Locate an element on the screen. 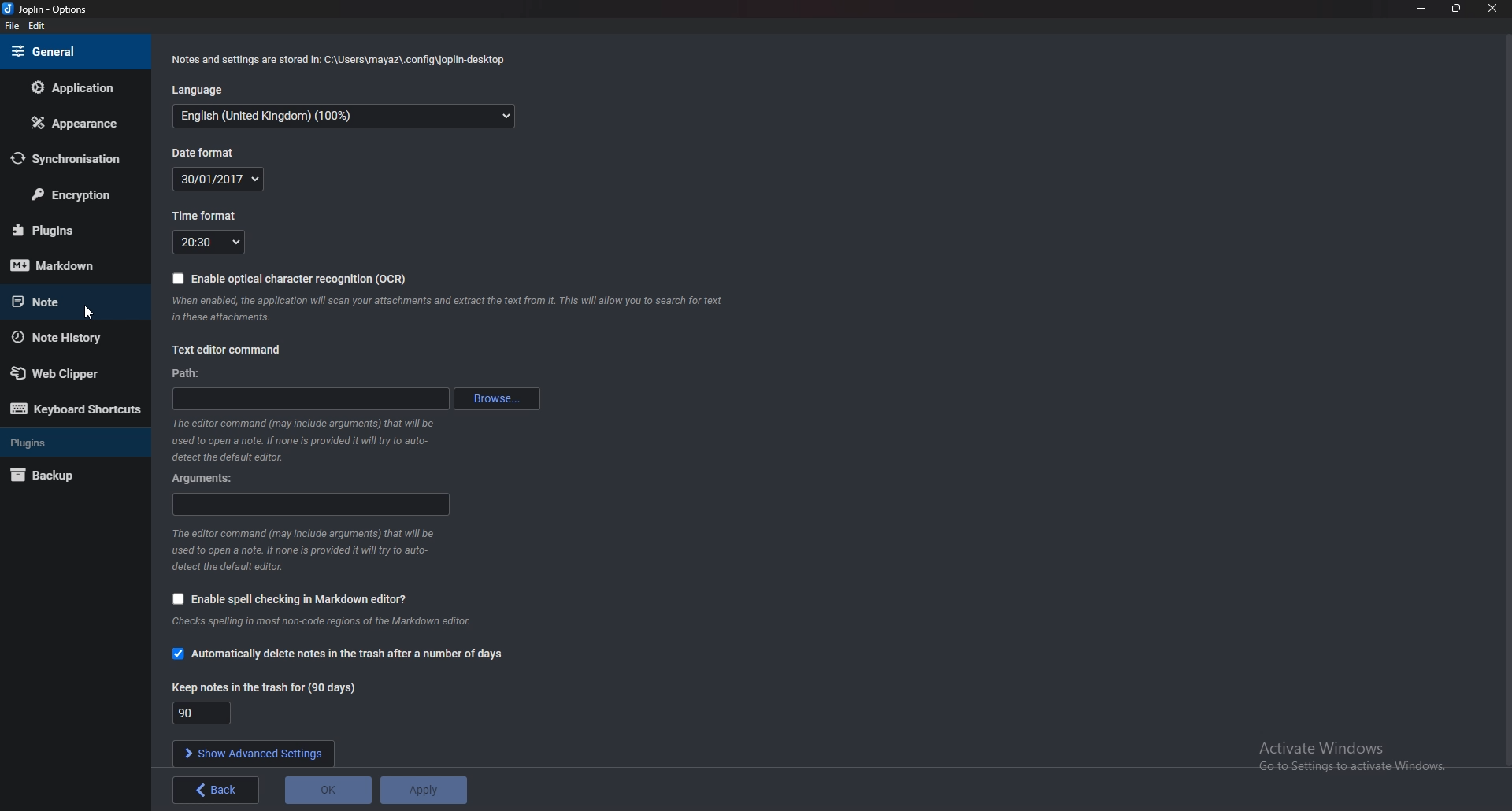 The width and height of the screenshot is (1512, 811). Time format is located at coordinates (210, 243).